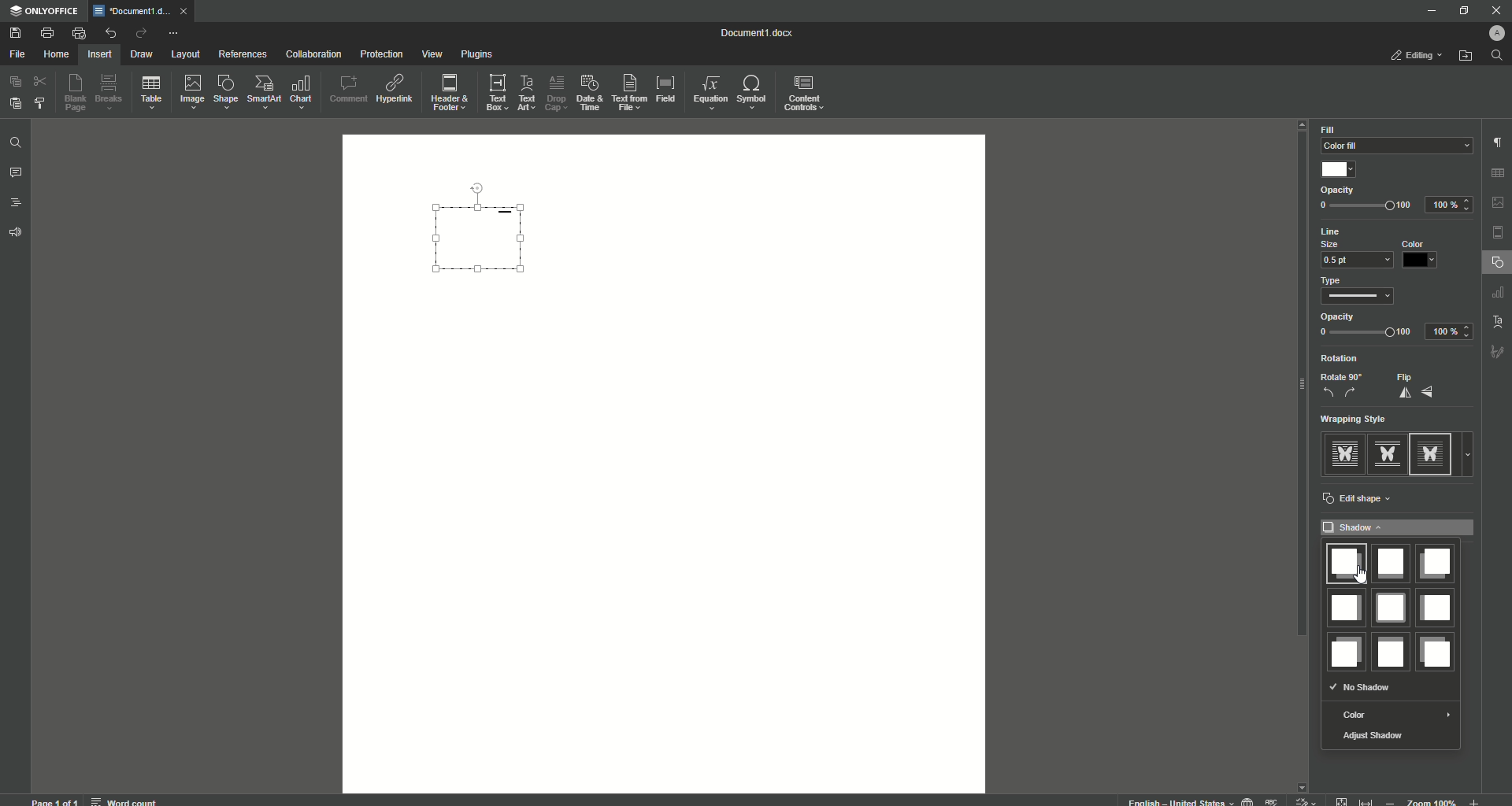  What do you see at coordinates (79, 33) in the screenshot?
I see `Quick Print` at bounding box center [79, 33].